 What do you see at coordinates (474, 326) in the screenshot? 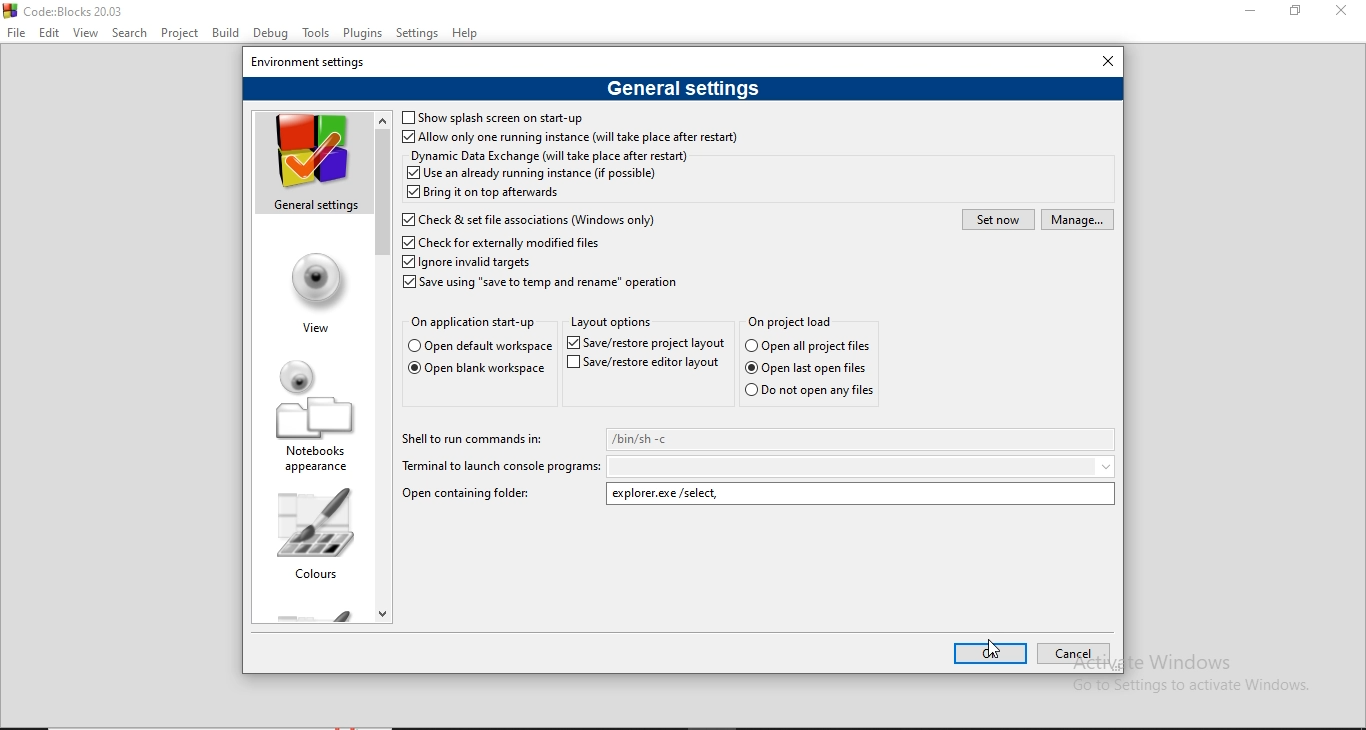
I see `On application start-up` at bounding box center [474, 326].